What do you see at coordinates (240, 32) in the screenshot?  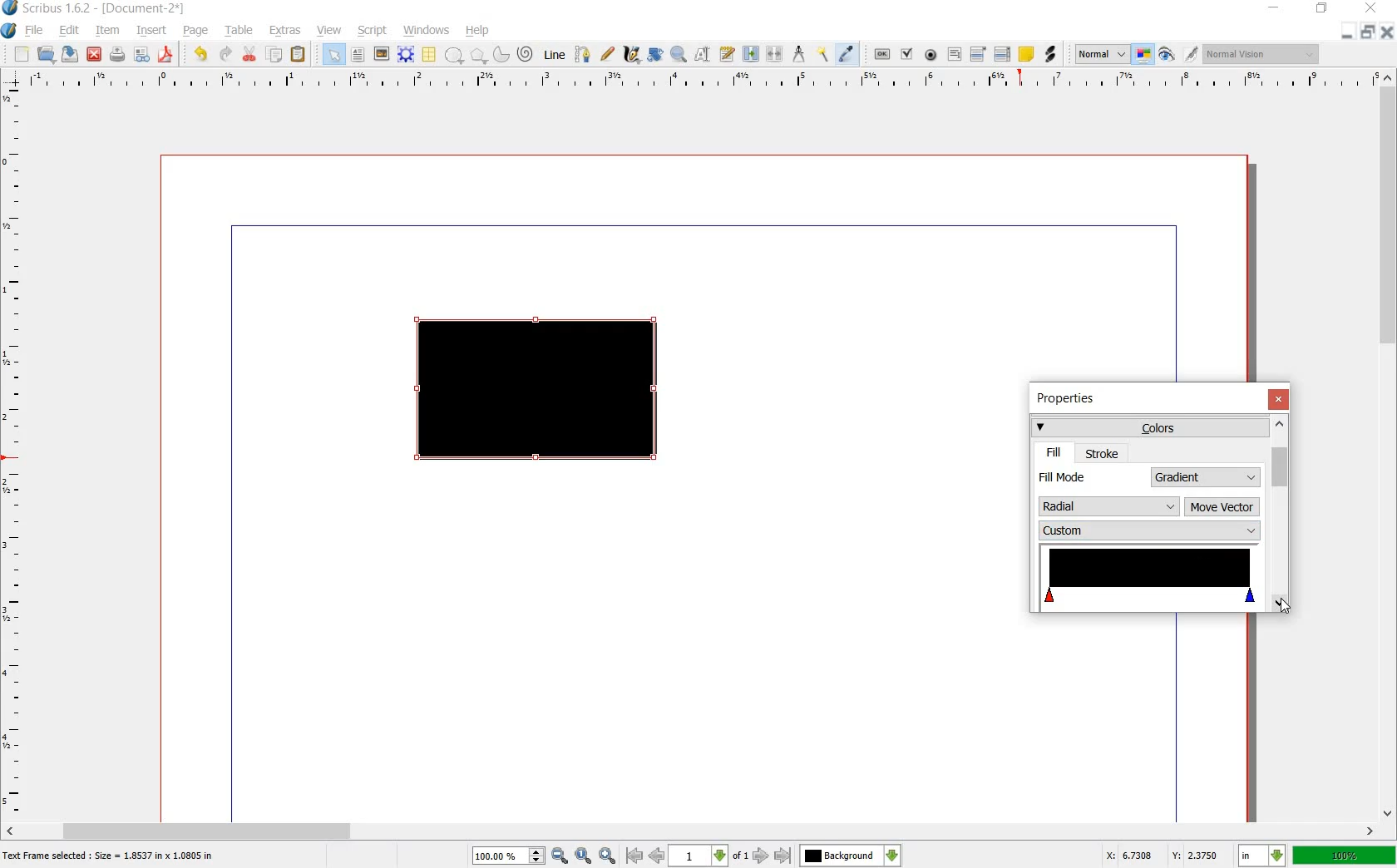 I see `table` at bounding box center [240, 32].